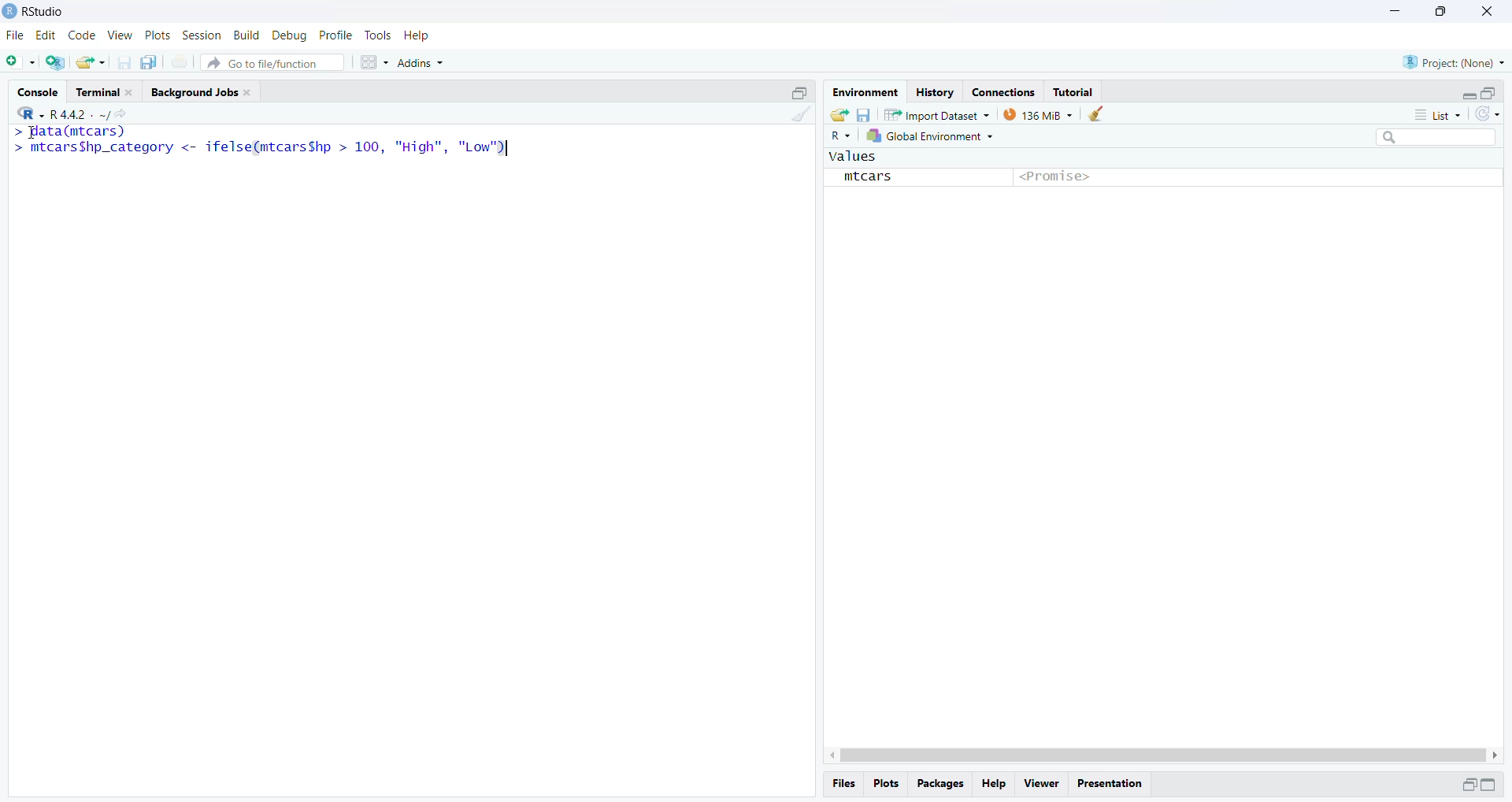  Describe the element at coordinates (1488, 13) in the screenshot. I see `Close` at that location.